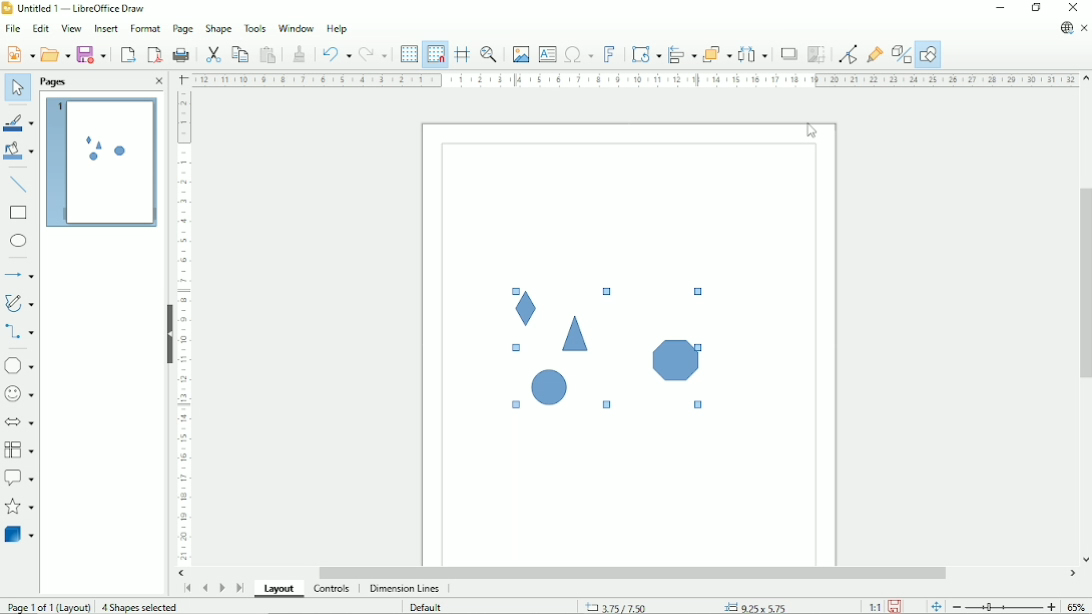 This screenshot has height=614, width=1092. I want to click on Insert image, so click(520, 53).